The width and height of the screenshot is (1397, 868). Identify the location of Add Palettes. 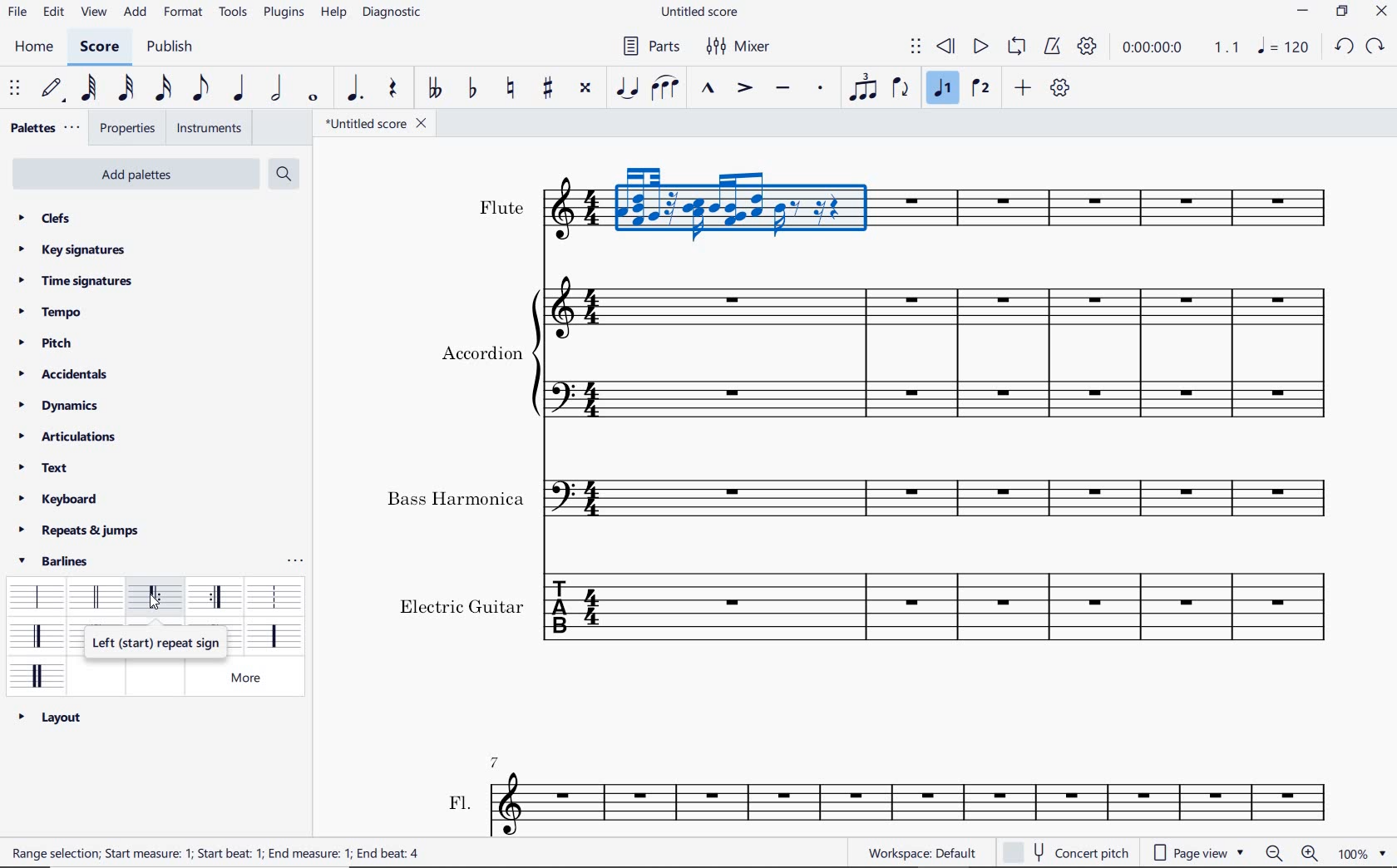
(134, 175).